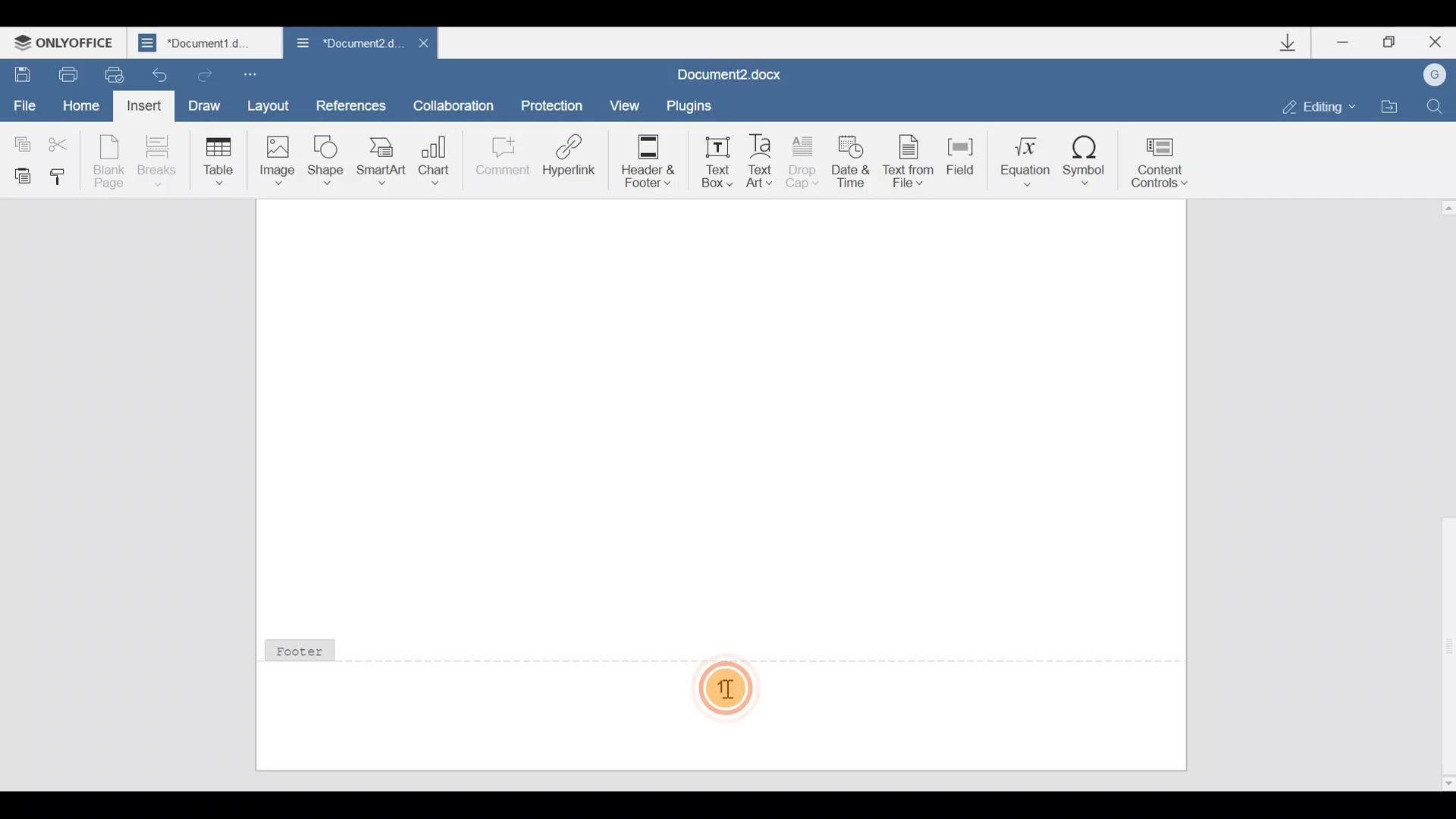 The image size is (1456, 819). Describe the element at coordinates (1310, 105) in the screenshot. I see `Editing mode` at that location.